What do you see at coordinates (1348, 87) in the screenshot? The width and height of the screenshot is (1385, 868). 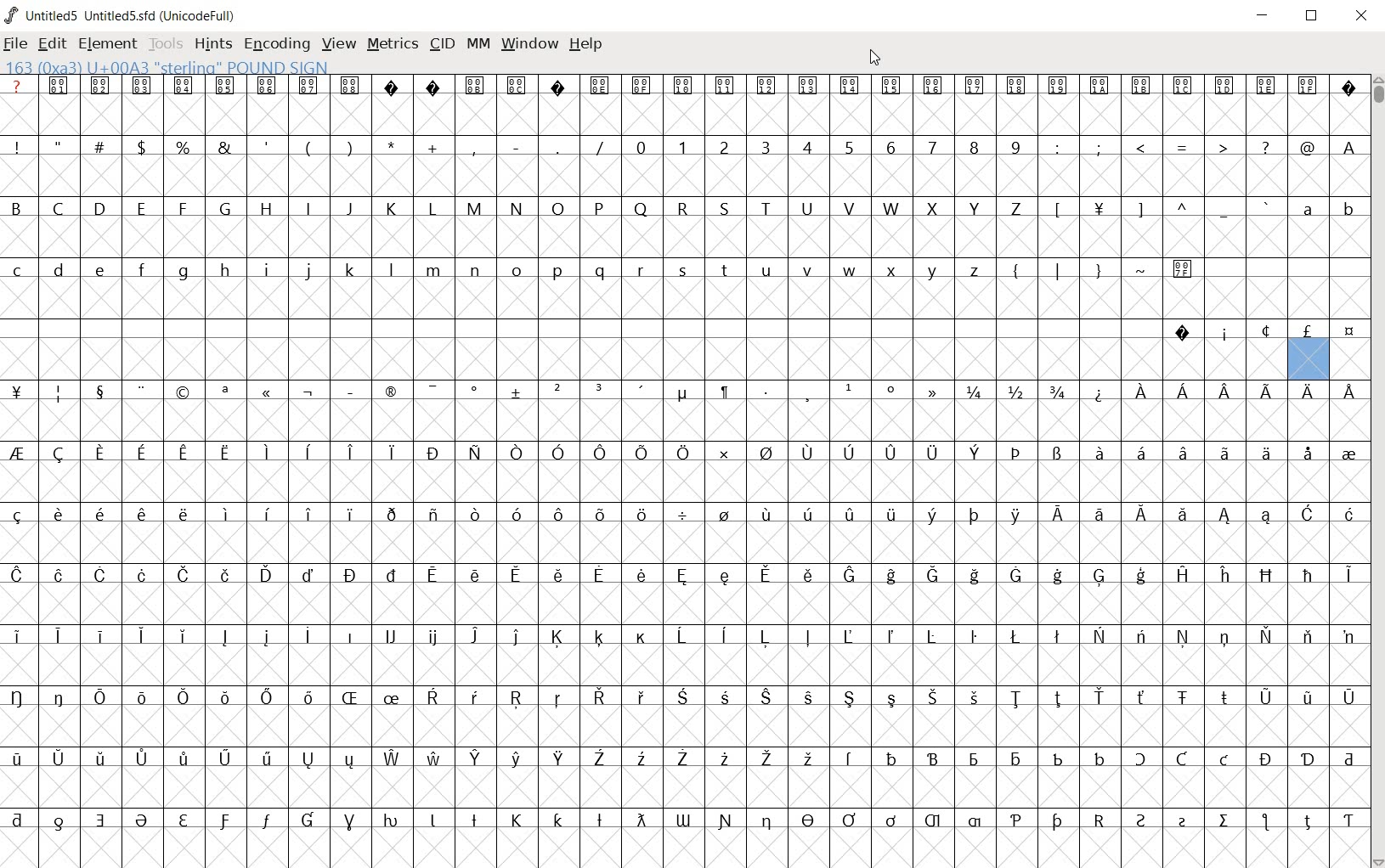 I see `Symbol` at bounding box center [1348, 87].